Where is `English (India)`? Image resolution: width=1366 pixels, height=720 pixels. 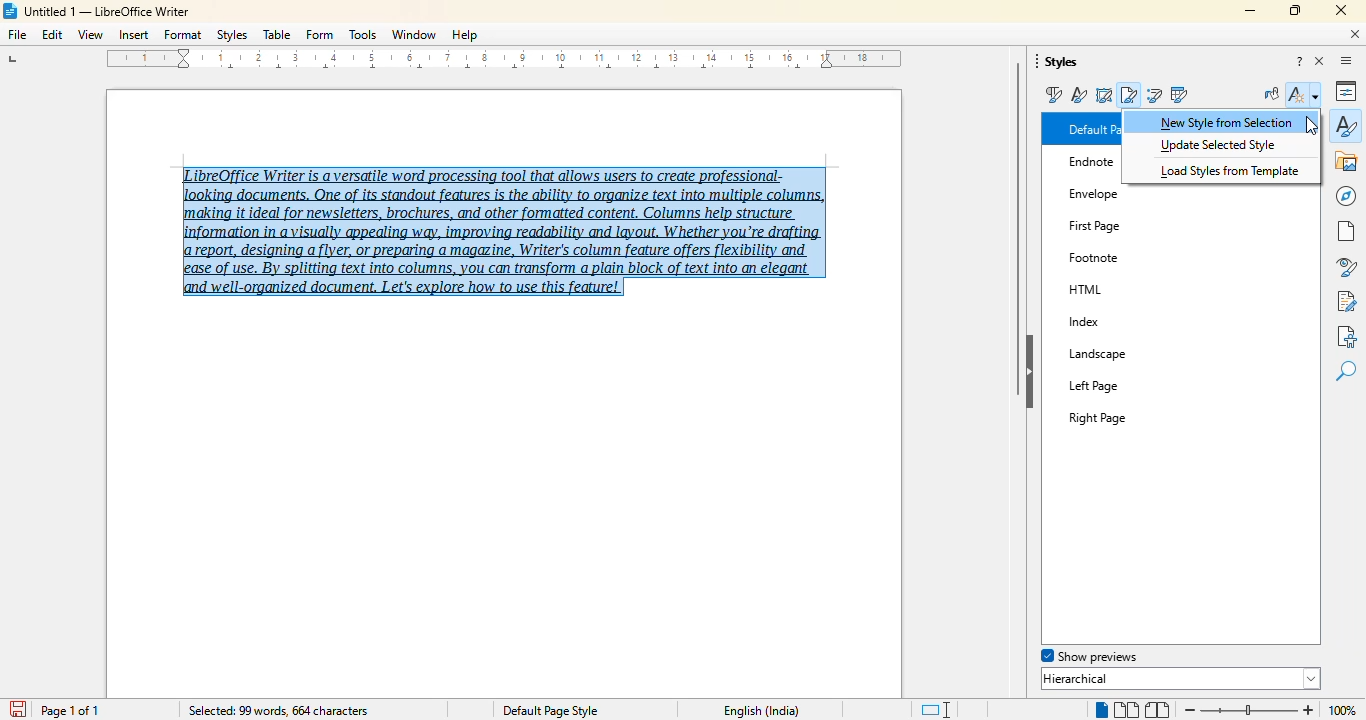
English (India) is located at coordinates (762, 711).